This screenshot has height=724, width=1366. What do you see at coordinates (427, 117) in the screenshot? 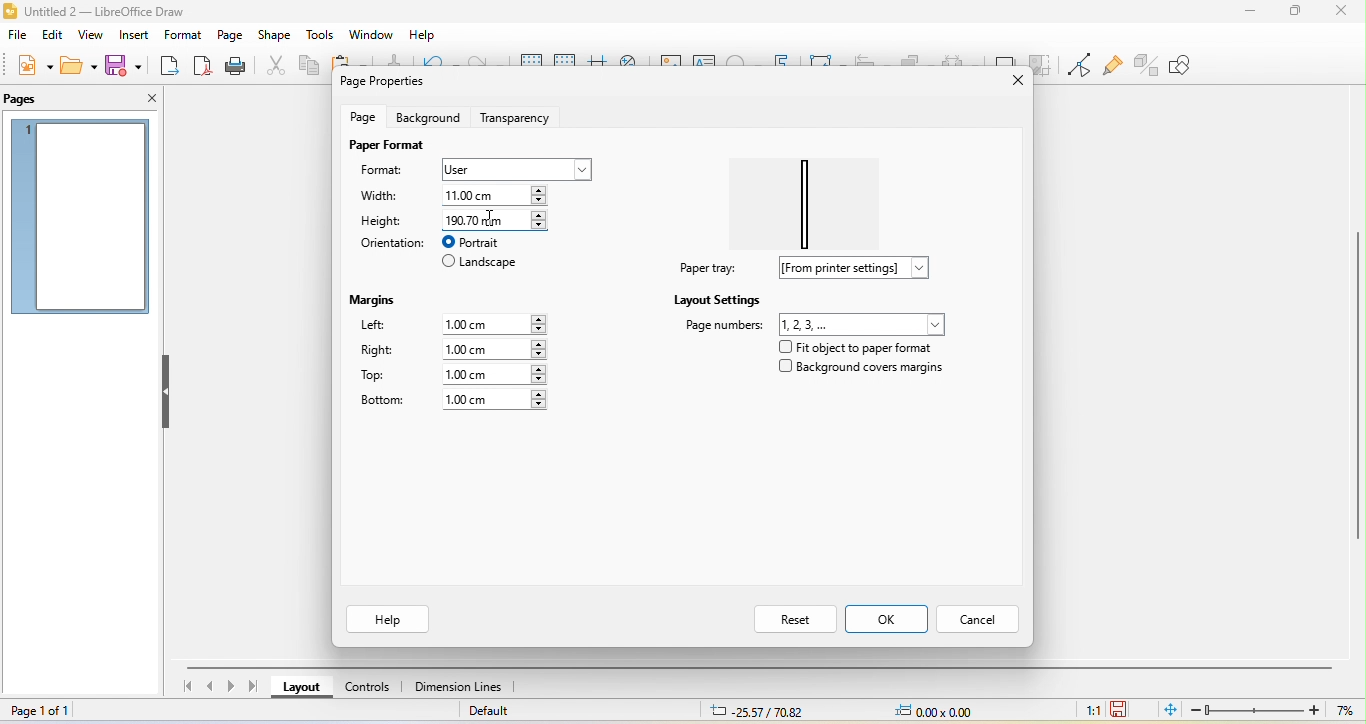
I see `background` at bounding box center [427, 117].